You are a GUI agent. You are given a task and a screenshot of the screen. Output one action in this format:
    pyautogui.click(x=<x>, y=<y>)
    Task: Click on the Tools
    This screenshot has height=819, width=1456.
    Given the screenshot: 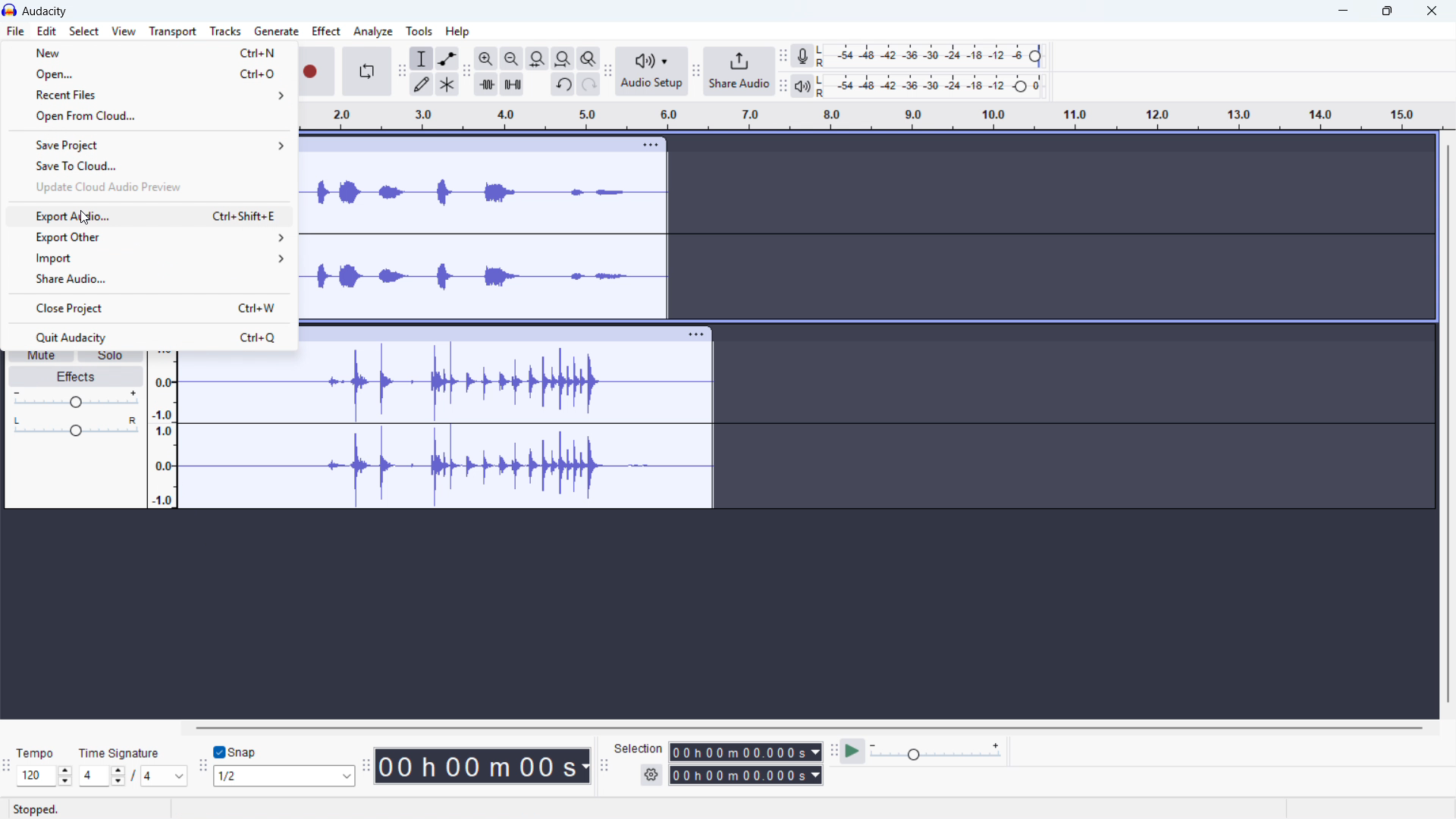 What is the action you would take?
    pyautogui.click(x=419, y=31)
    